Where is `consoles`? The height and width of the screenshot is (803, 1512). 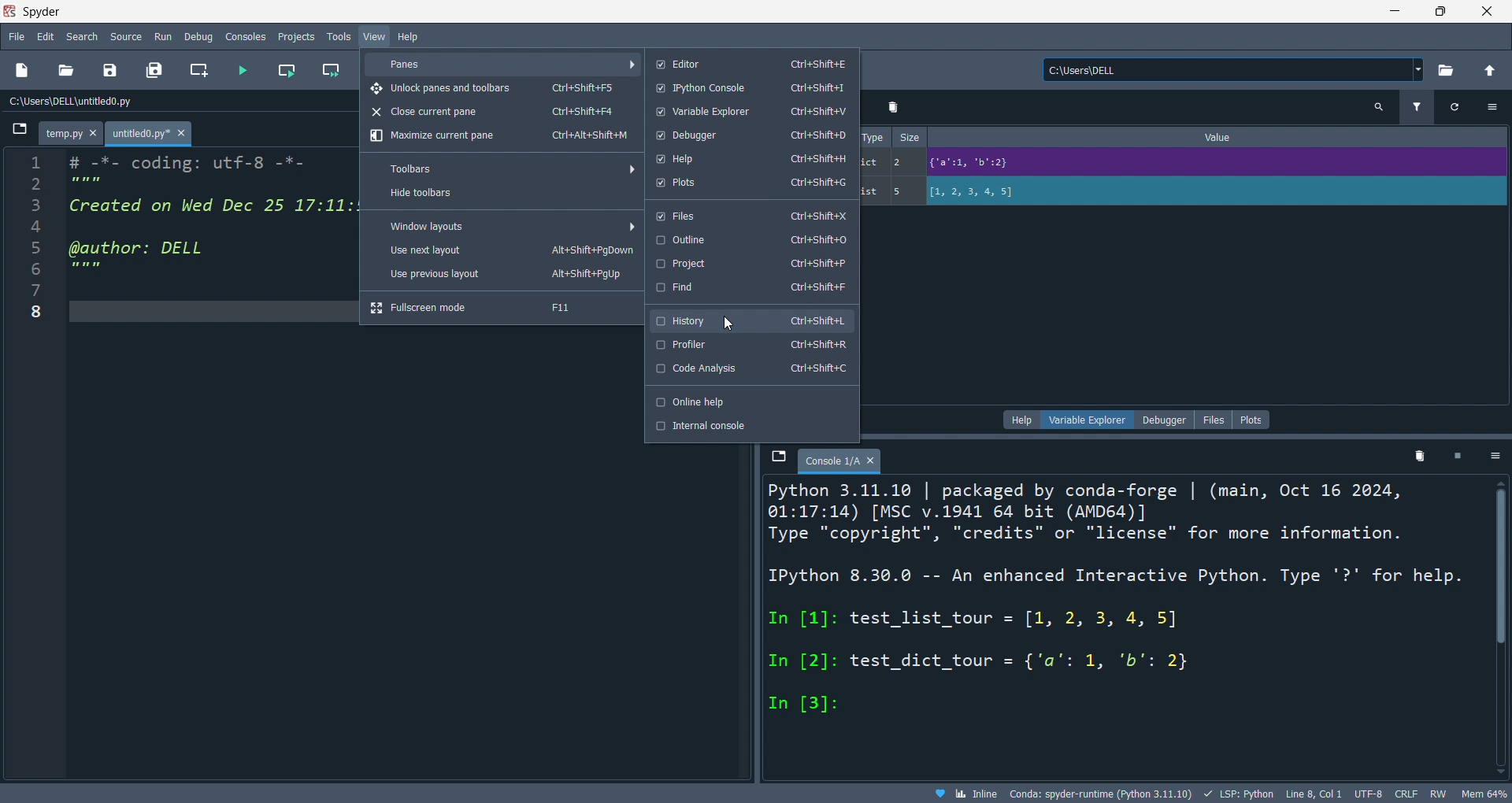 consoles is located at coordinates (248, 35).